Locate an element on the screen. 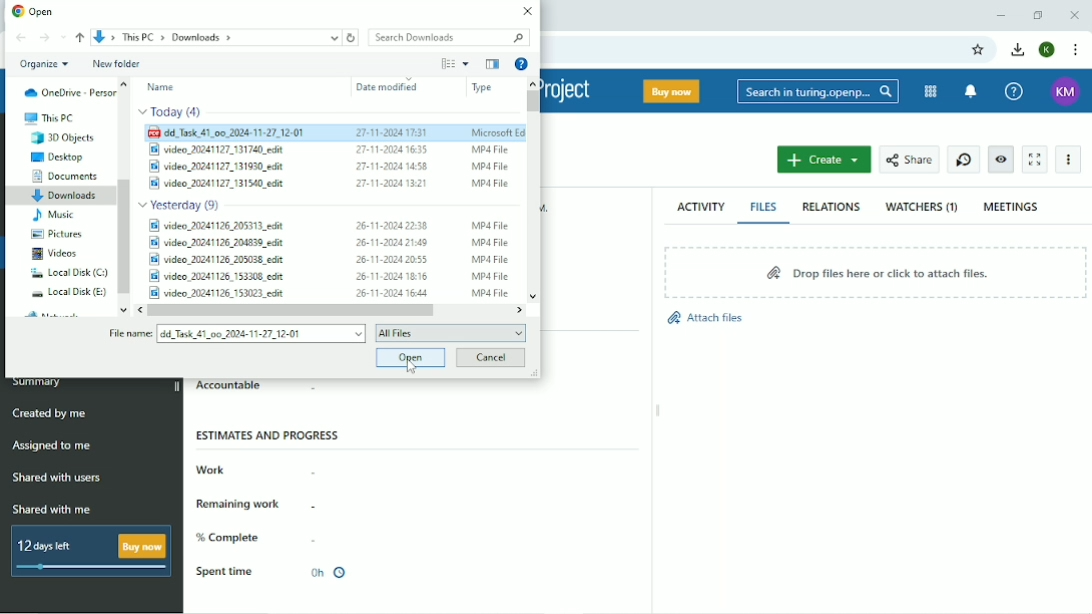 Image resolution: width=1092 pixels, height=614 pixels. Modules is located at coordinates (931, 92).